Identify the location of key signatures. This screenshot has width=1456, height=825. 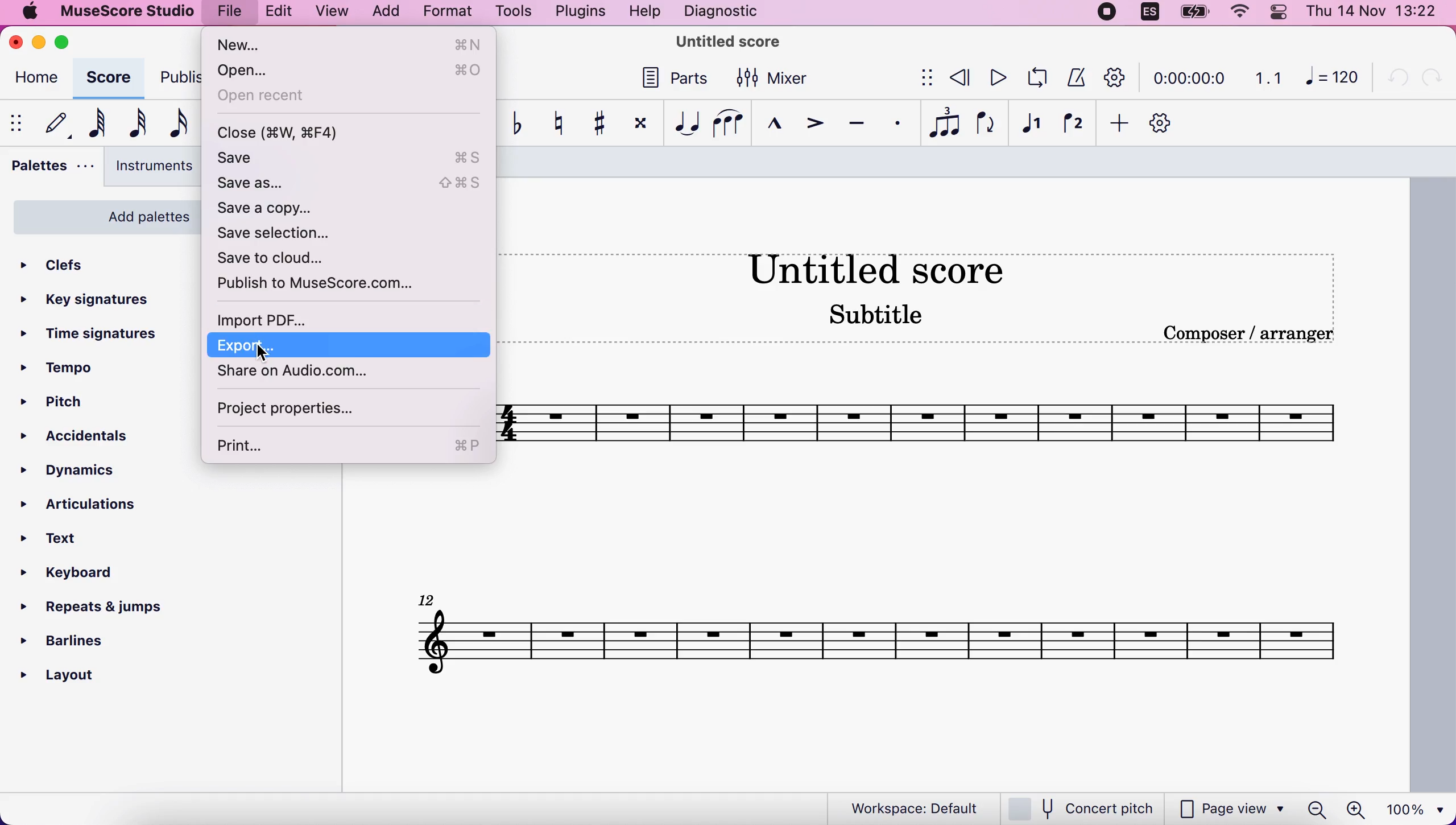
(94, 301).